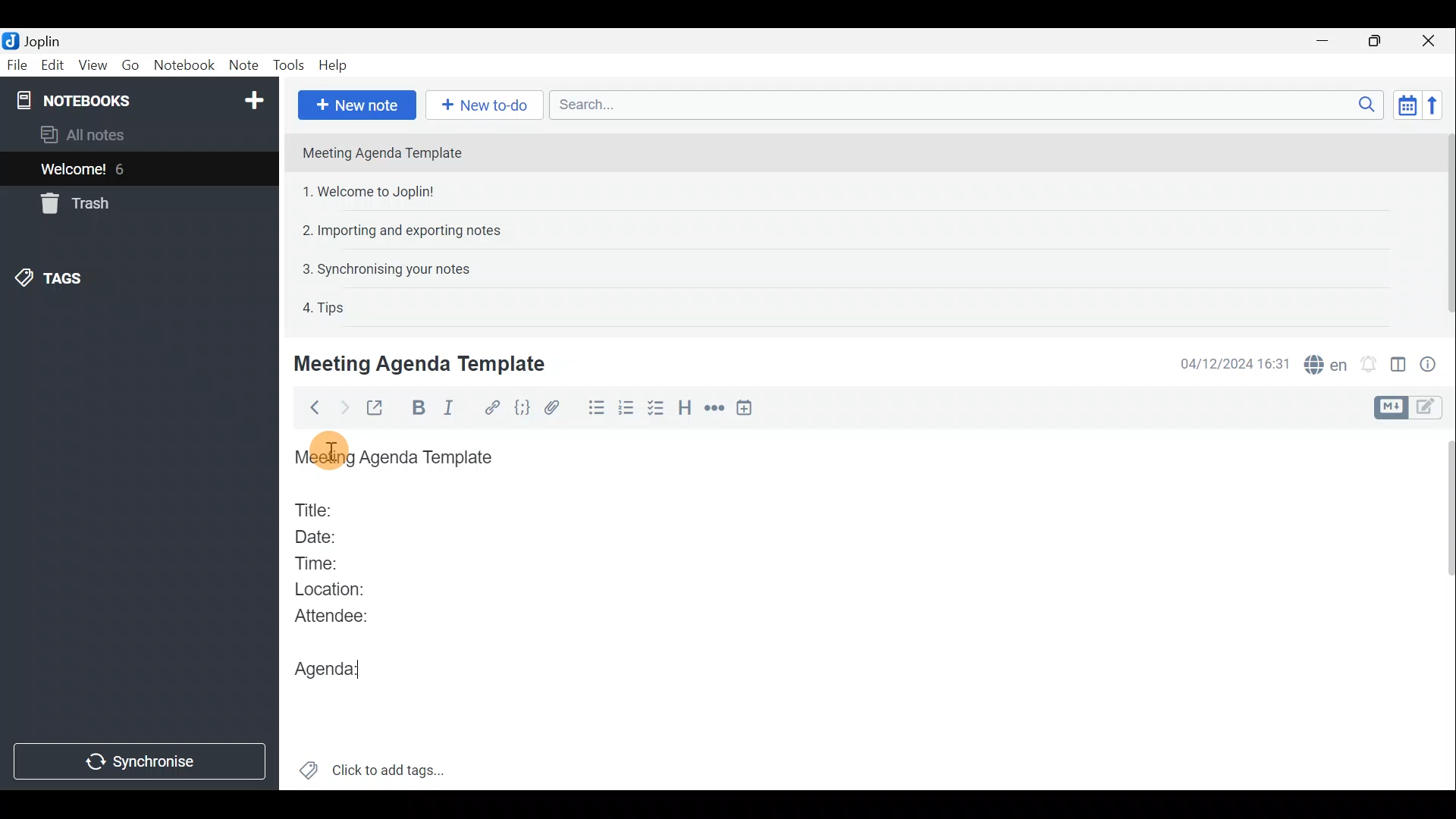 The height and width of the screenshot is (819, 1456). What do you see at coordinates (1404, 103) in the screenshot?
I see `Toggle sort order` at bounding box center [1404, 103].